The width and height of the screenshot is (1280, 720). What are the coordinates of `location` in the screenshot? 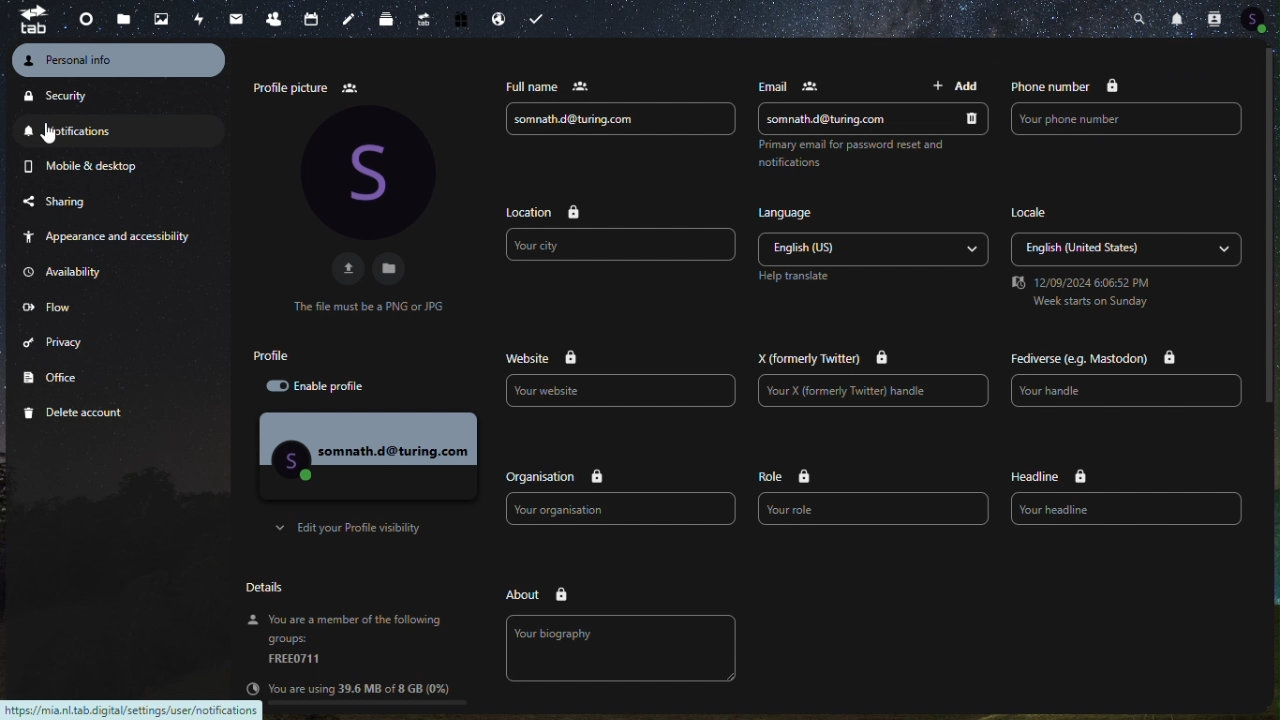 It's located at (538, 212).